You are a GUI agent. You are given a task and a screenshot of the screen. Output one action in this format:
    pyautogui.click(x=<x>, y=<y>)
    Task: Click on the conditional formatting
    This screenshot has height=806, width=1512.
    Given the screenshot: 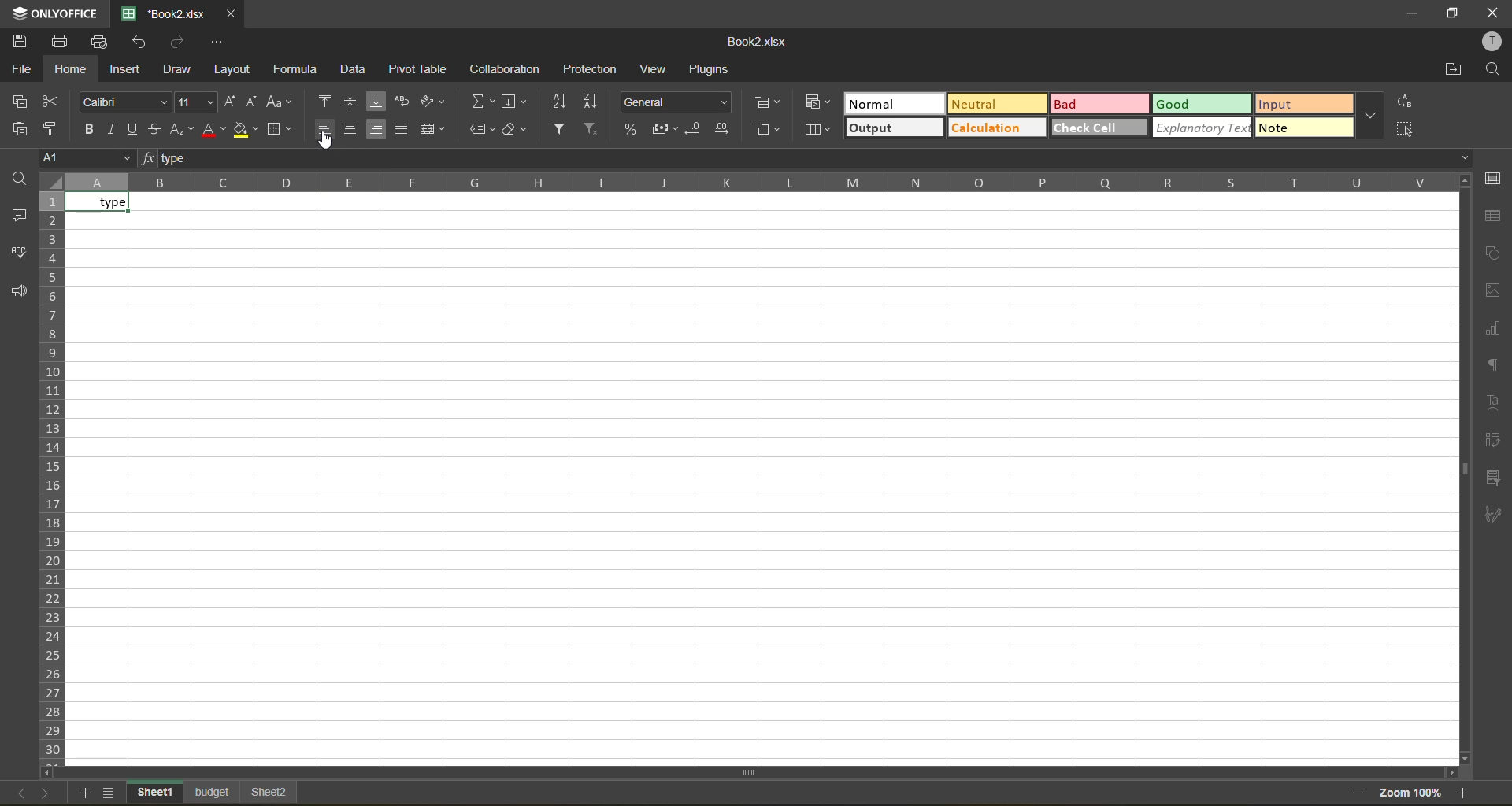 What is the action you would take?
    pyautogui.click(x=820, y=103)
    